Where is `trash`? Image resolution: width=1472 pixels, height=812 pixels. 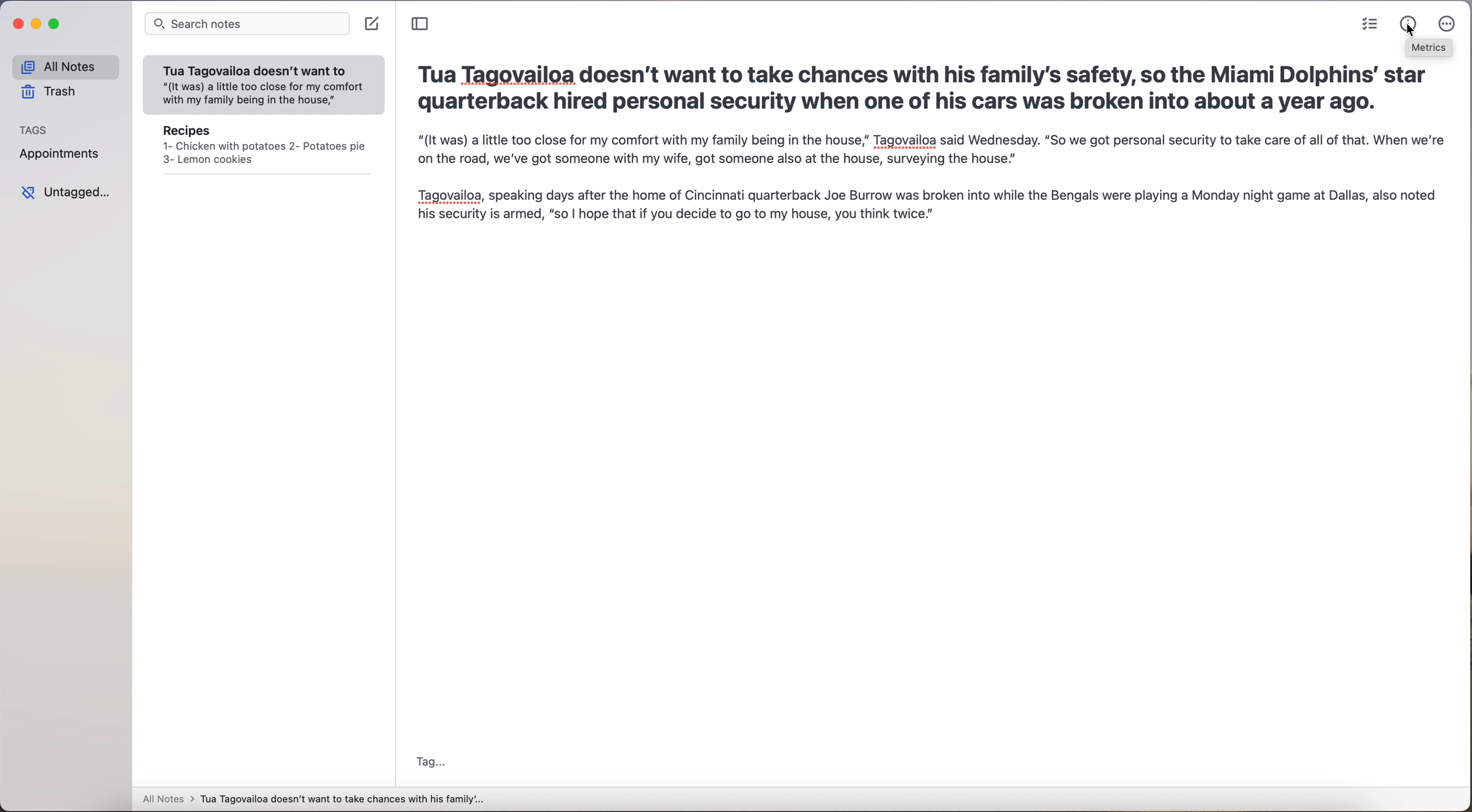 trash is located at coordinates (50, 92).